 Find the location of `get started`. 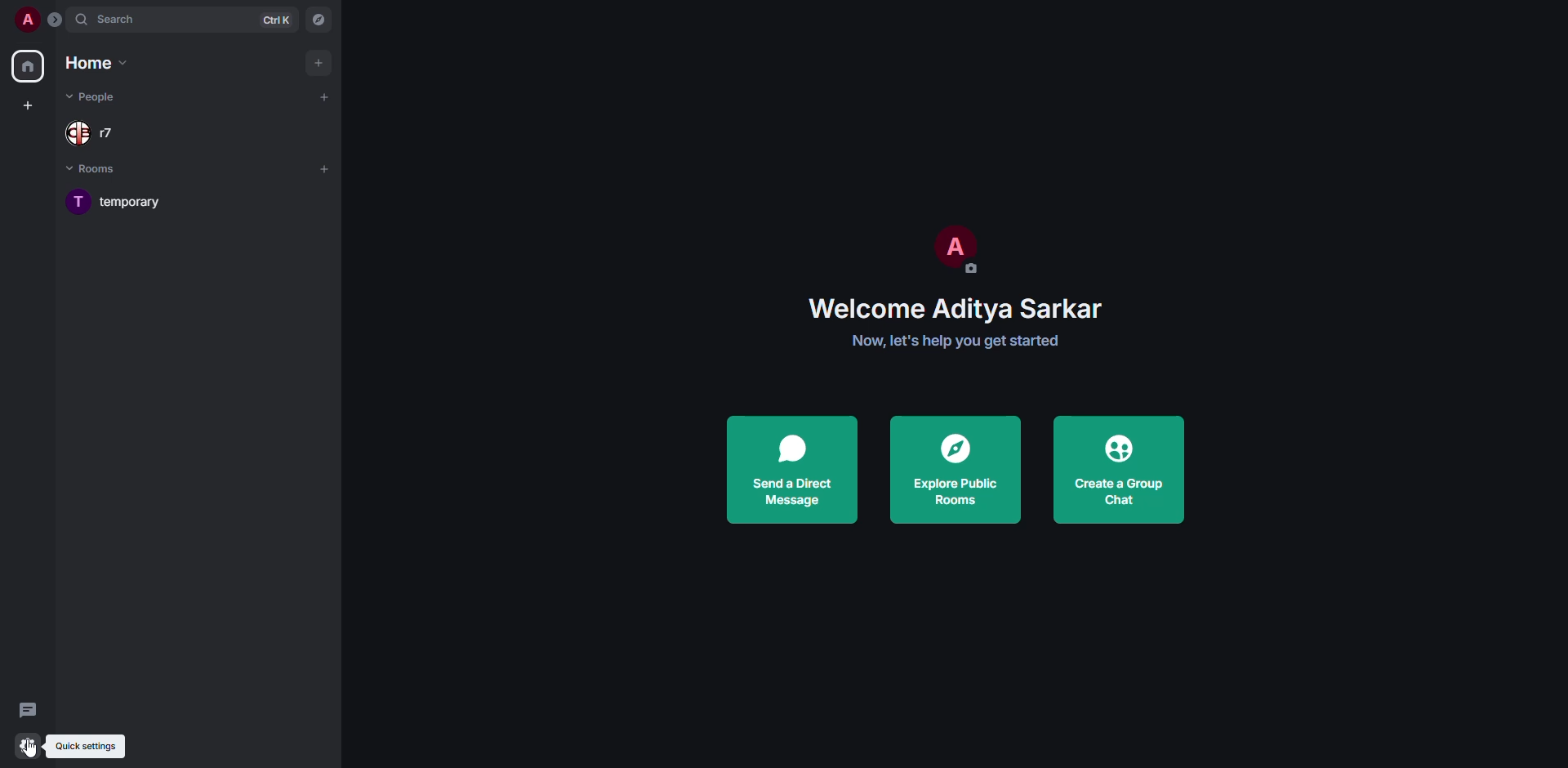

get started is located at coordinates (954, 340).